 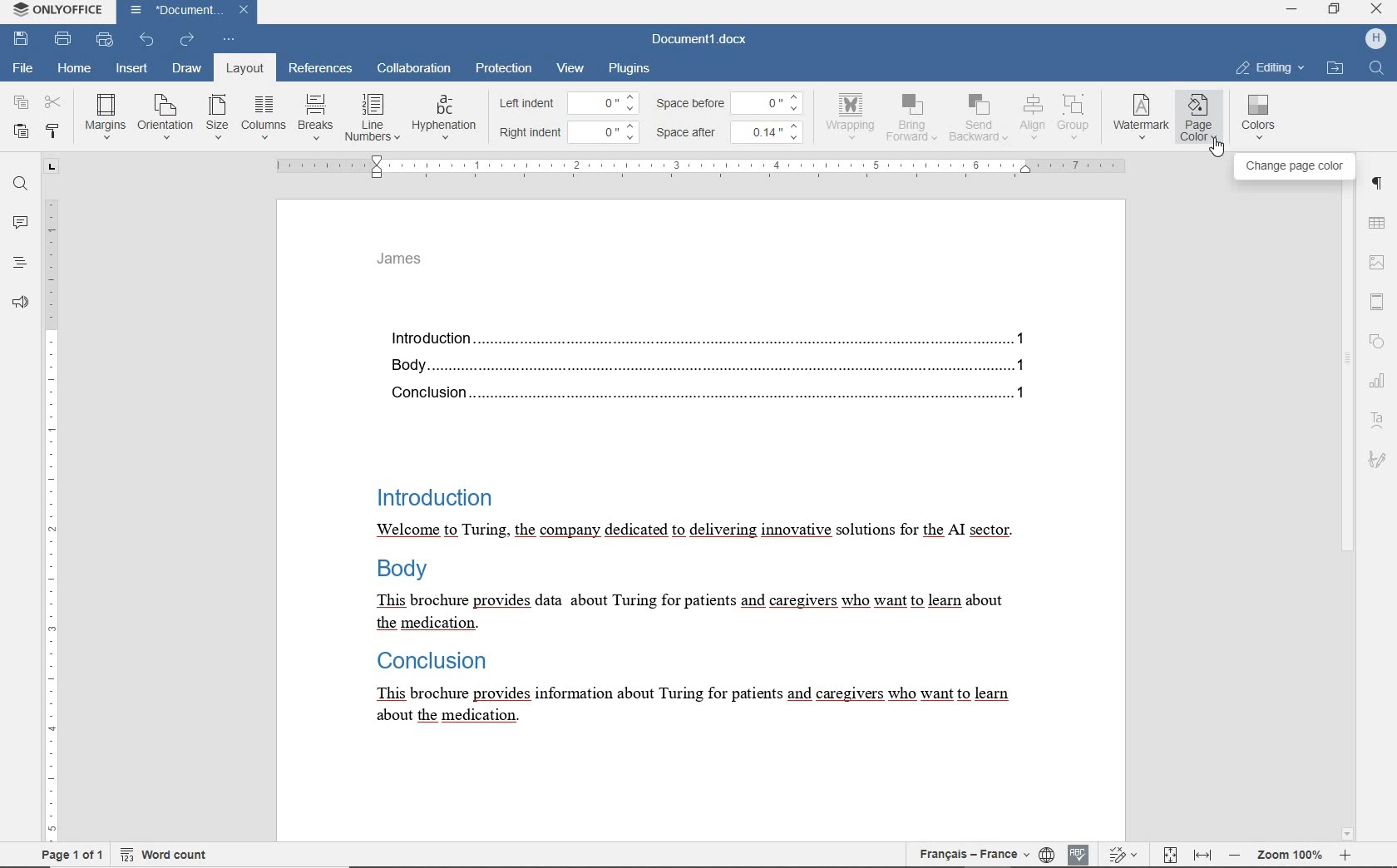 I want to click on cursor, so click(x=1218, y=149).